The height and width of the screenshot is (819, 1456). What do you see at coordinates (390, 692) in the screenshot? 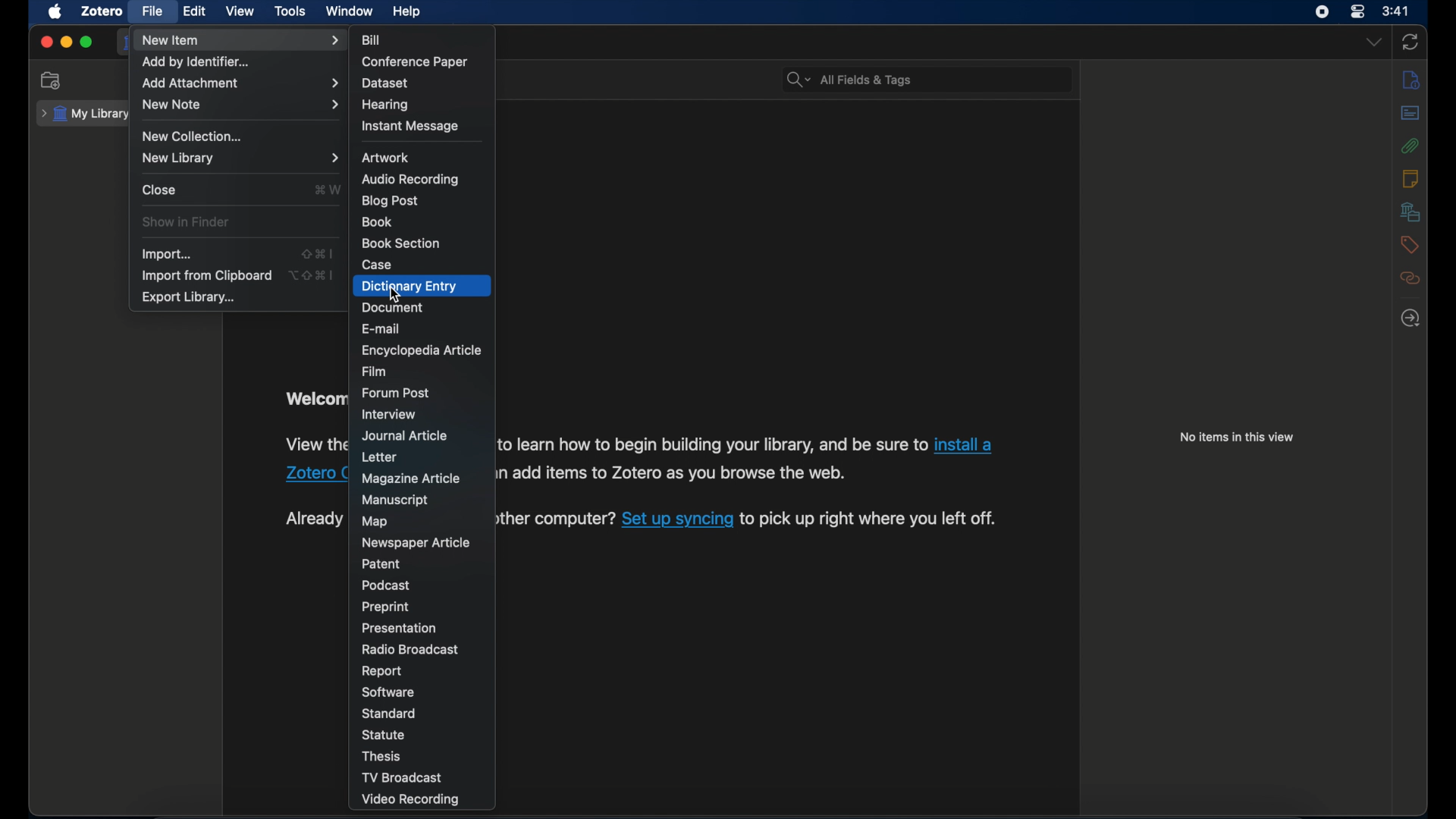
I see `software` at bounding box center [390, 692].